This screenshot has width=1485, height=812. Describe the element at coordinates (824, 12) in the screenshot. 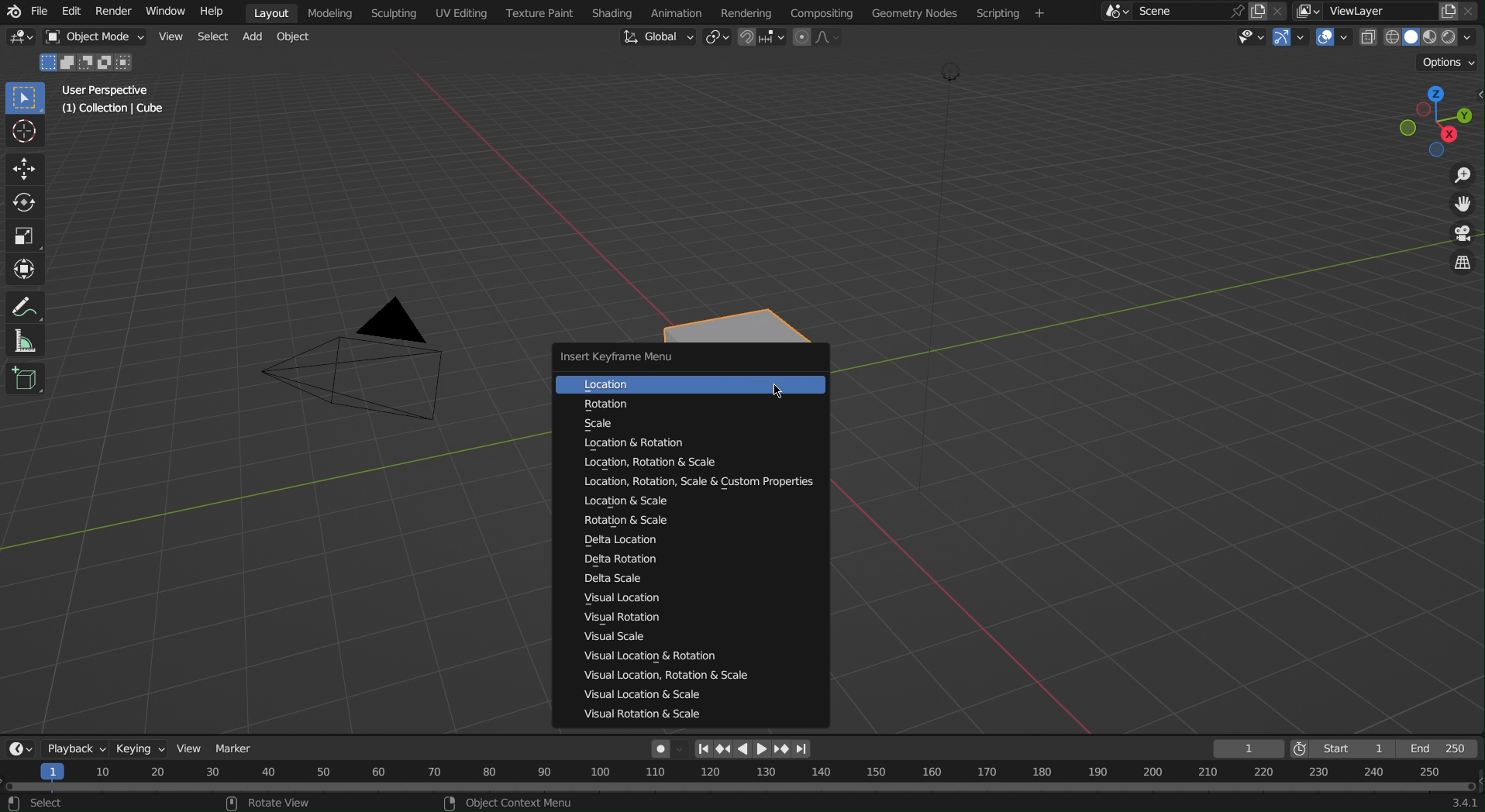

I see `Compositing` at that location.